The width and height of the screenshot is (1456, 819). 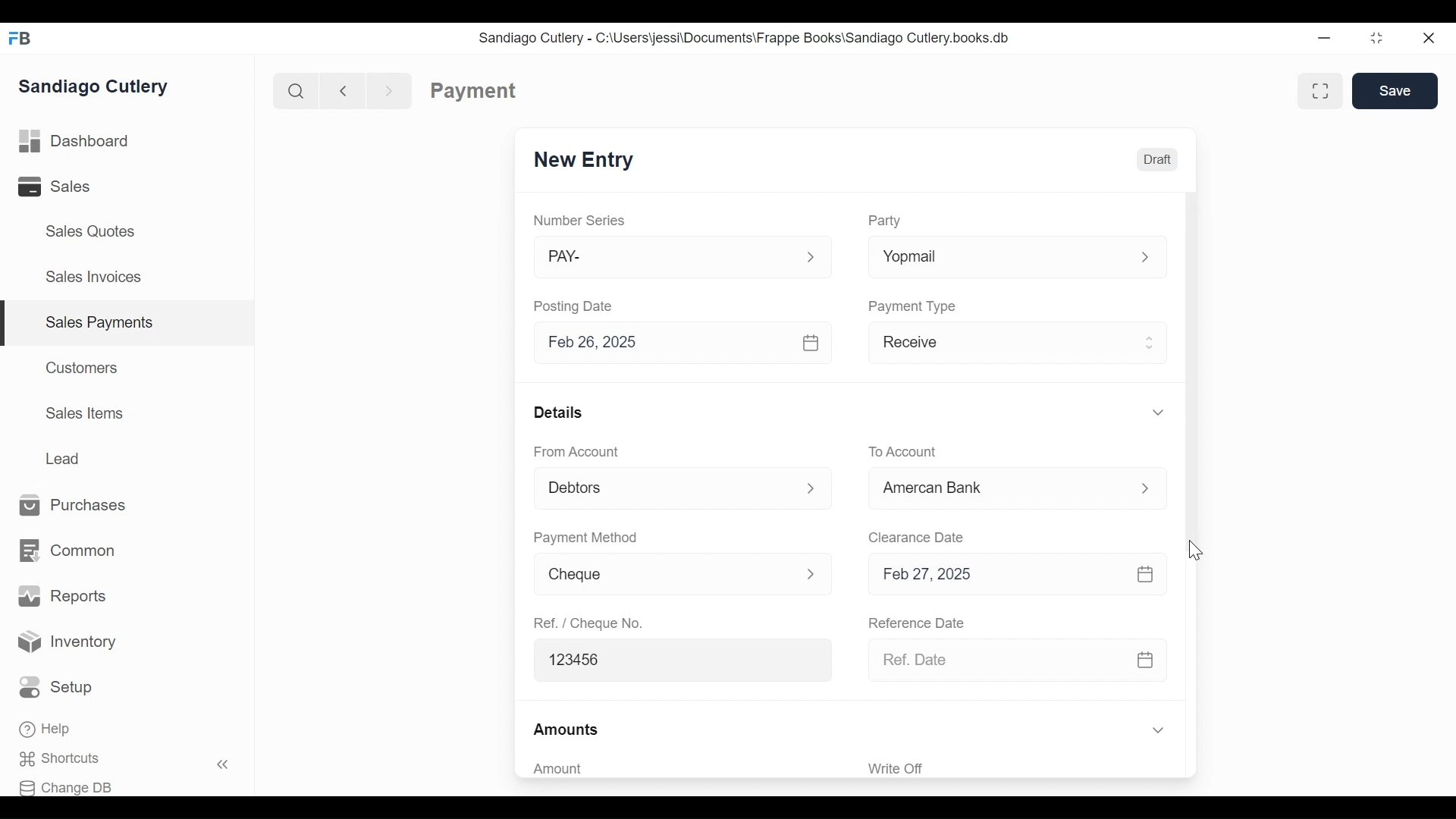 What do you see at coordinates (1157, 412) in the screenshot?
I see `Expand` at bounding box center [1157, 412].